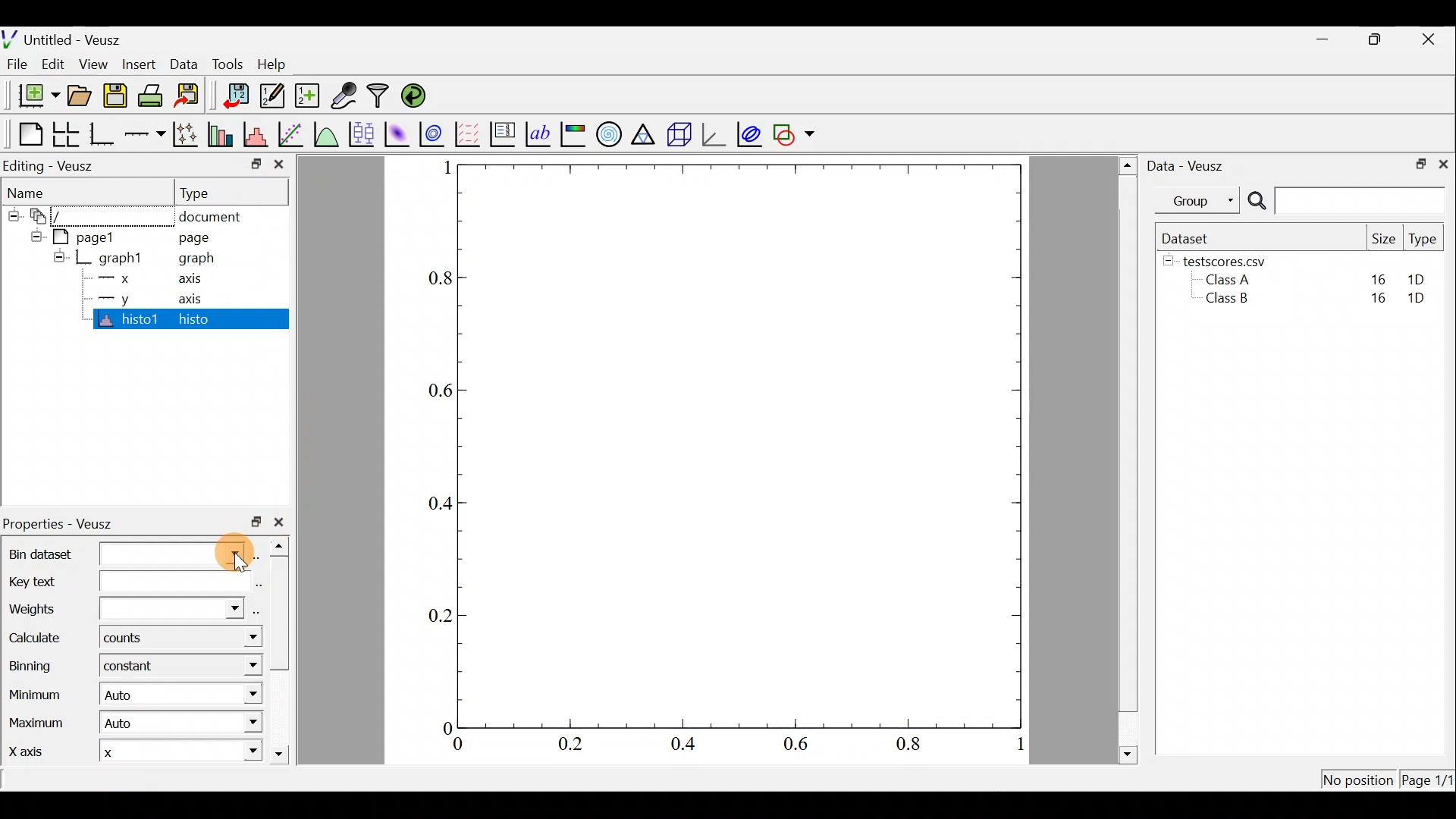  Describe the element at coordinates (56, 64) in the screenshot. I see `Edit` at that location.